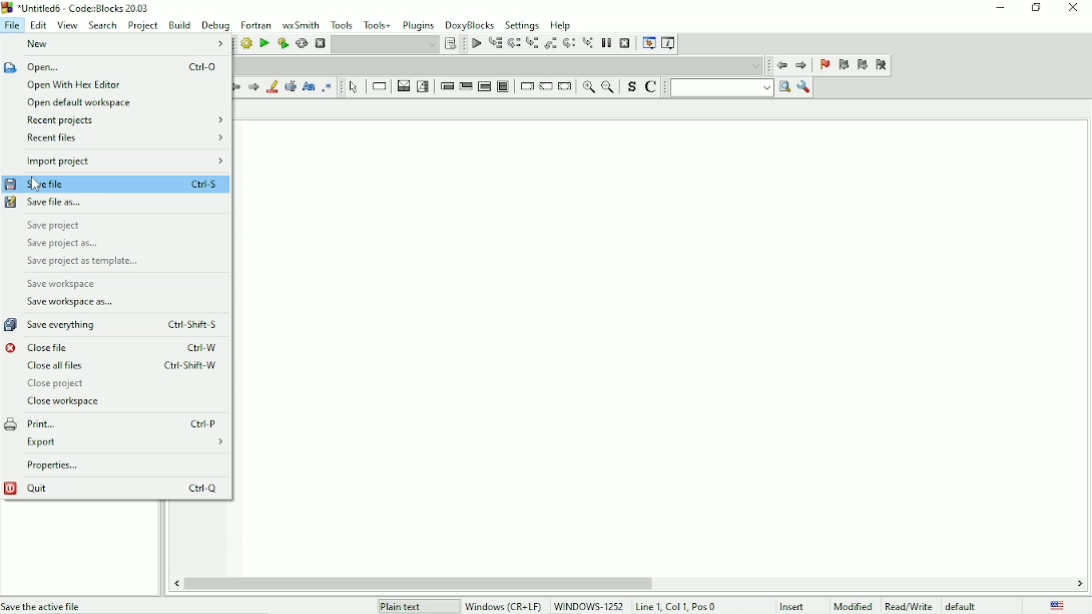  I want to click on Modified, so click(853, 605).